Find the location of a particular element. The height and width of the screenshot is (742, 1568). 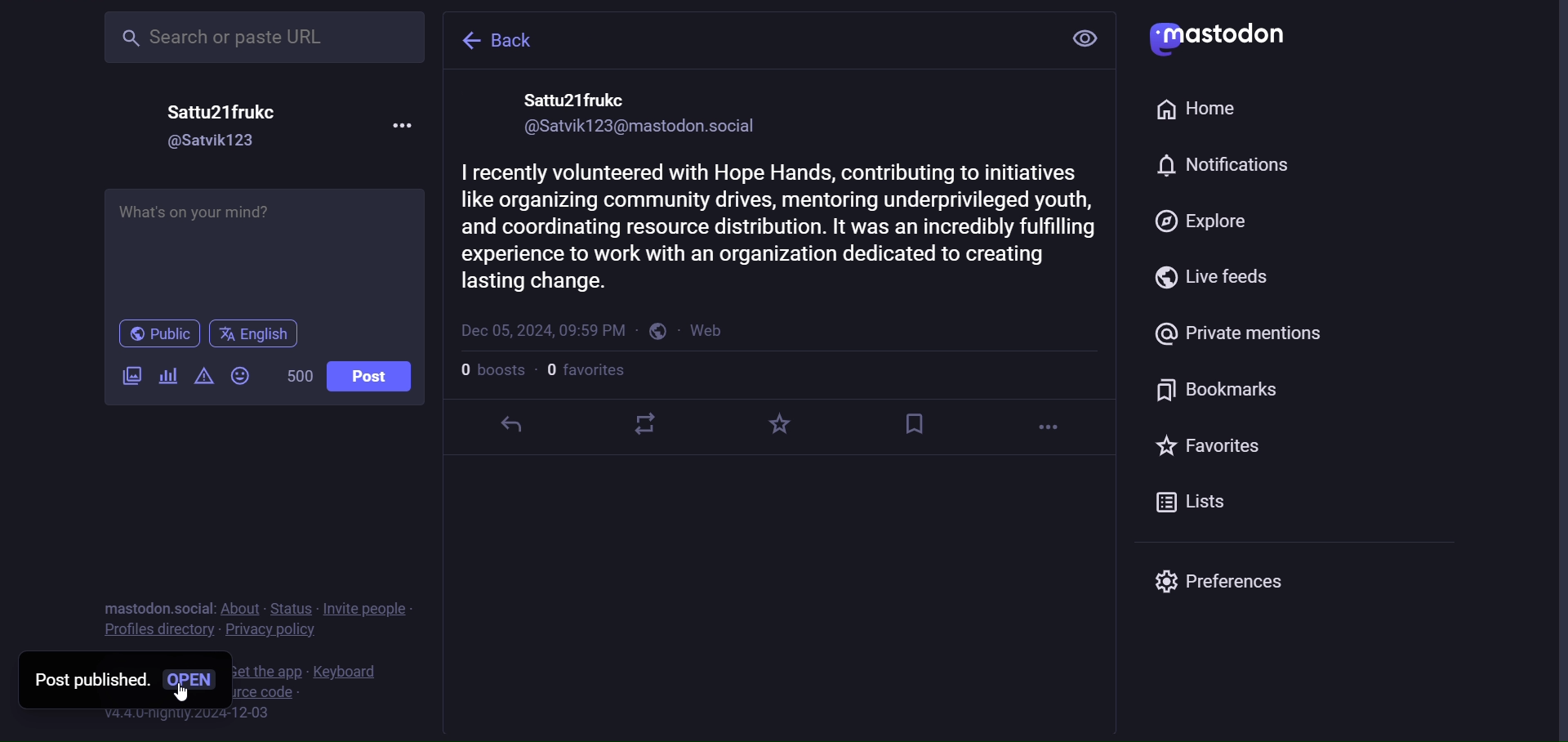

search is located at coordinates (262, 38).